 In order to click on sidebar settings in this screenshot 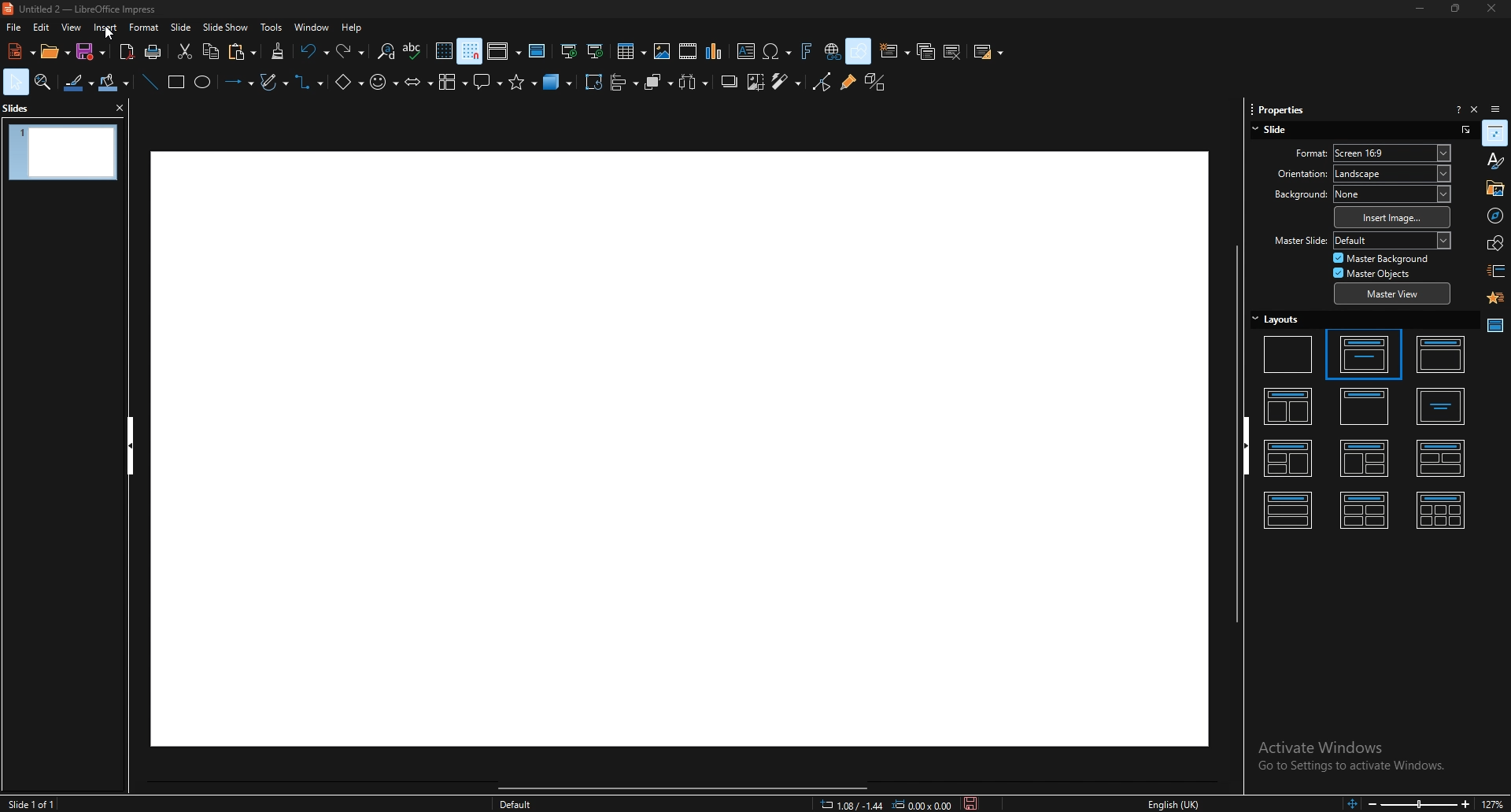, I will do `click(1497, 108)`.